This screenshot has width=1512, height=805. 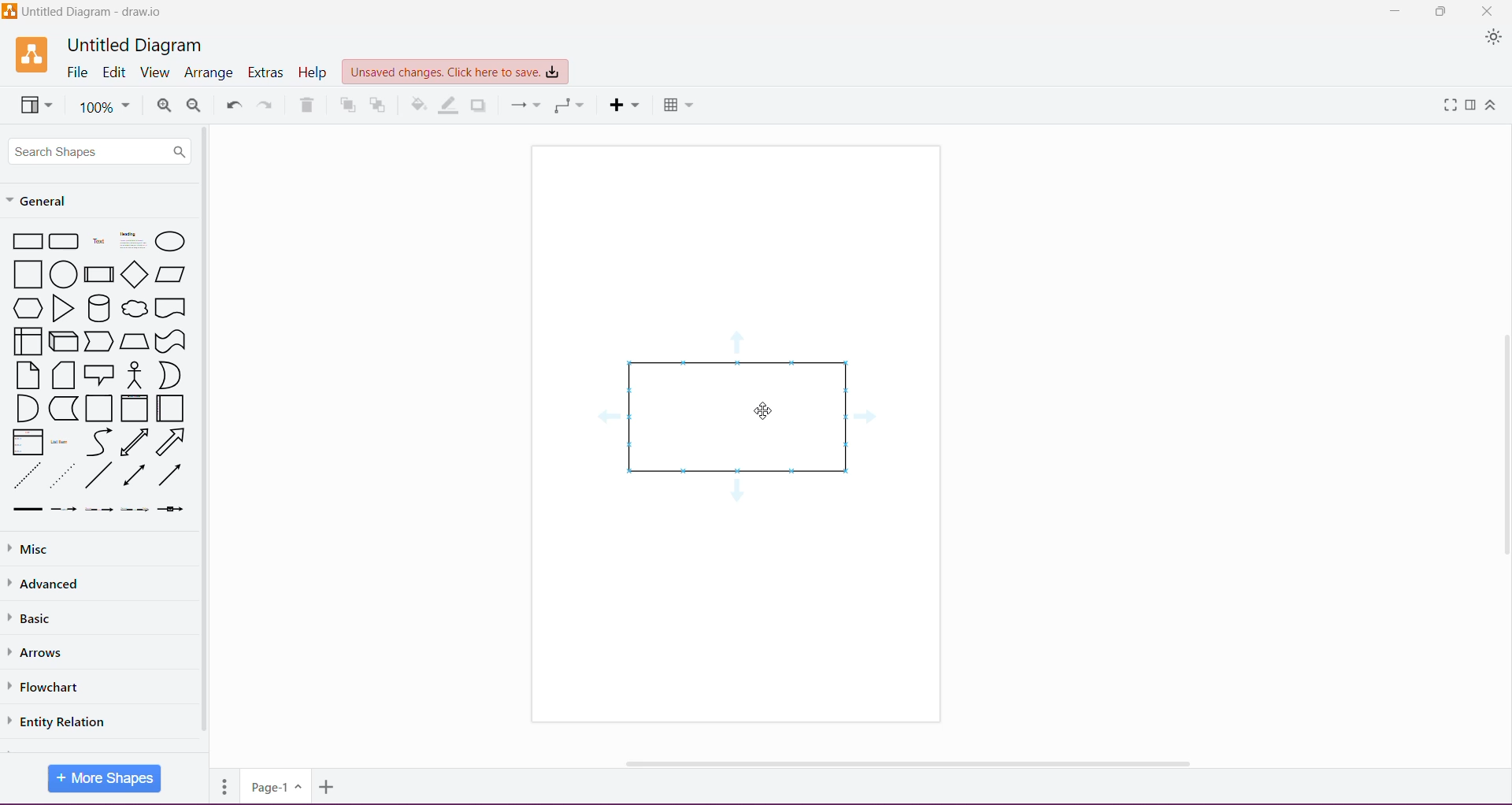 What do you see at coordinates (346, 105) in the screenshot?
I see `To Front` at bounding box center [346, 105].